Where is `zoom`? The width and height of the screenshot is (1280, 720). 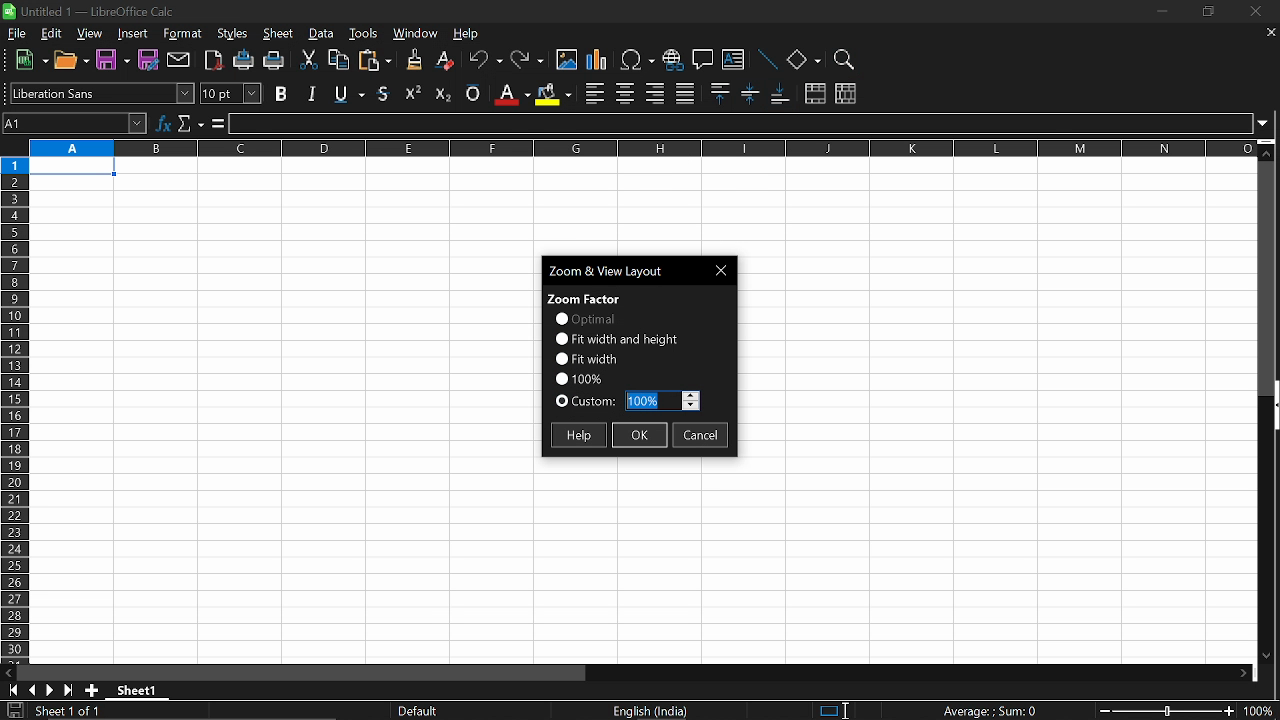 zoom is located at coordinates (842, 60).